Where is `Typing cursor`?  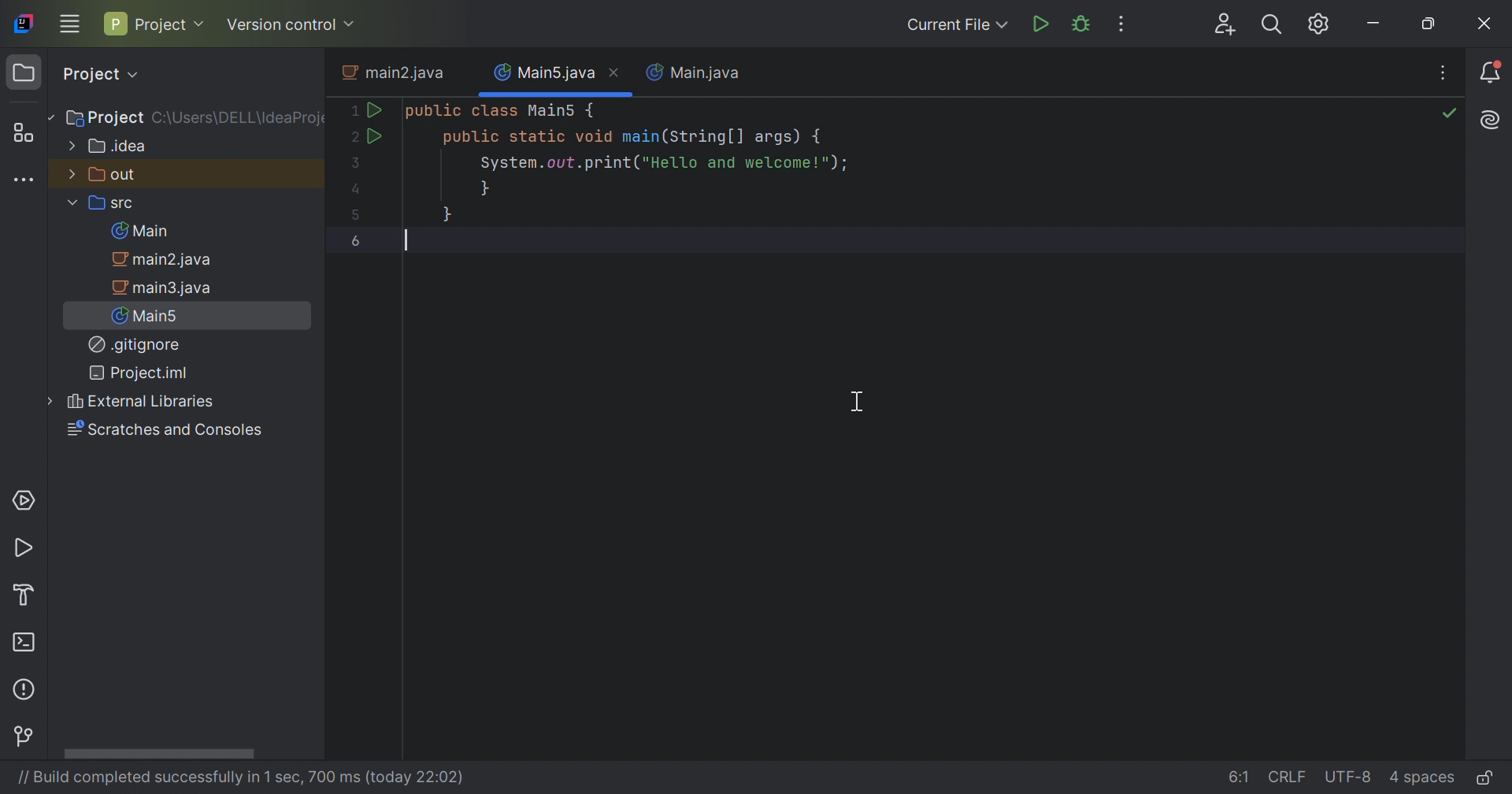 Typing cursor is located at coordinates (407, 240).